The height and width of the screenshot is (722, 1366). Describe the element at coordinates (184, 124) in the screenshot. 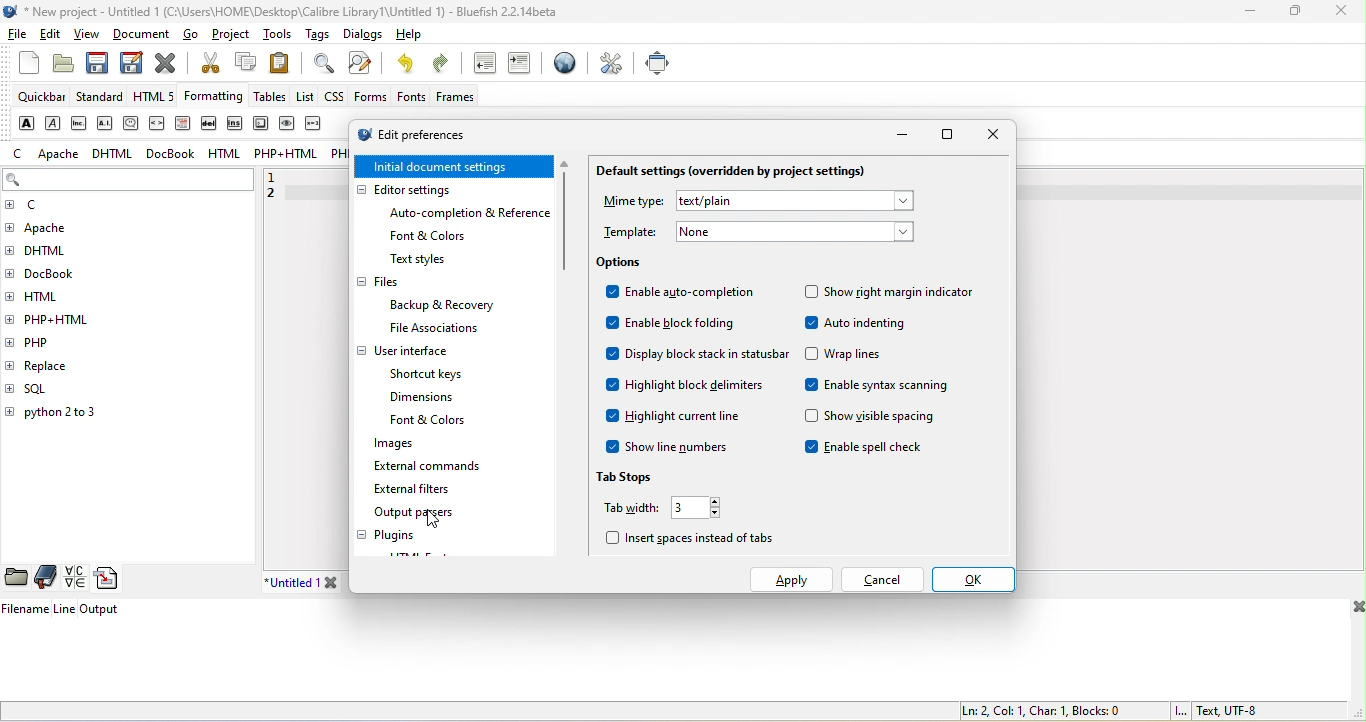

I see `definition` at that location.